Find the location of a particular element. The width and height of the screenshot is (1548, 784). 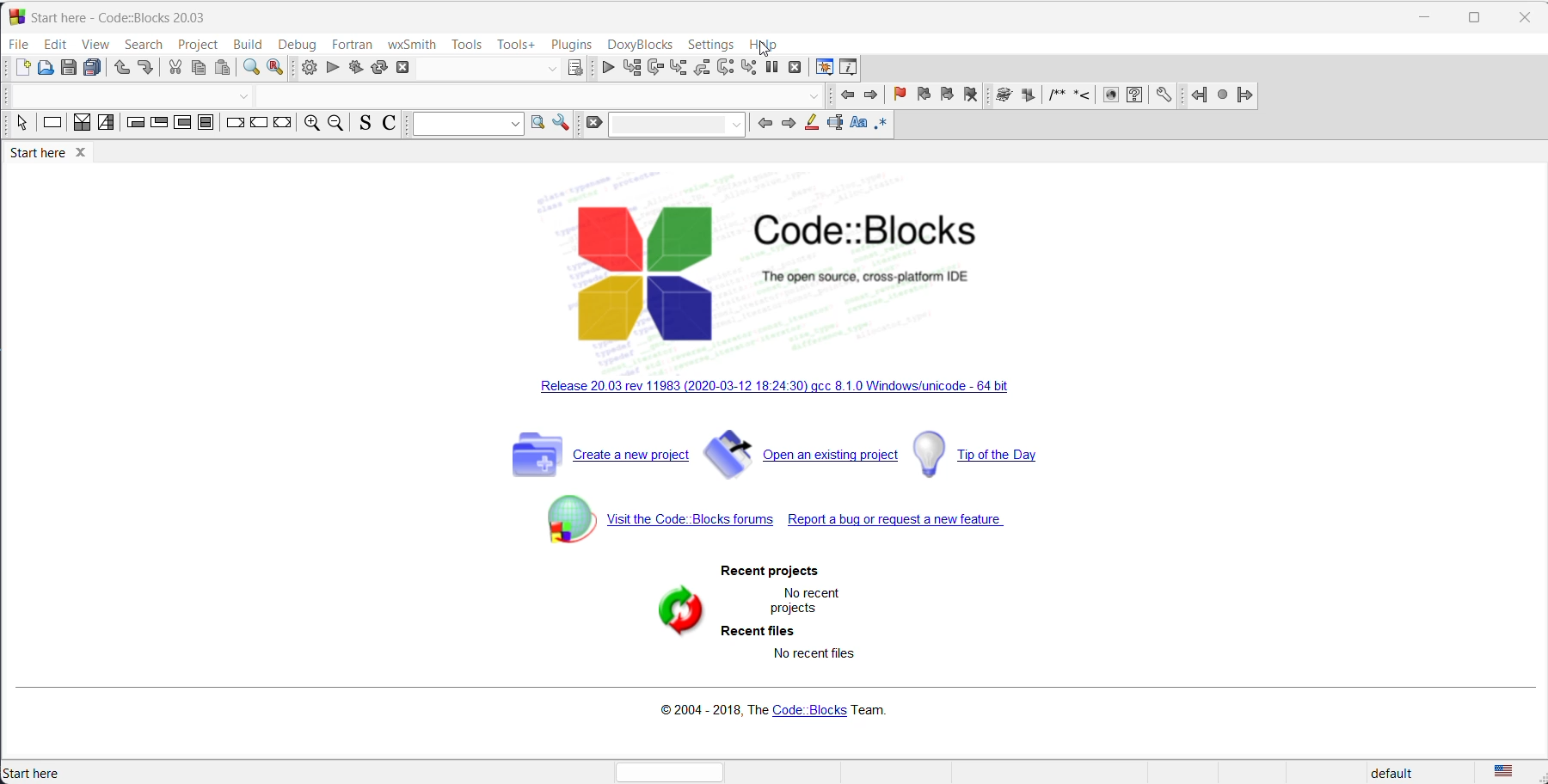

rebuild is located at coordinates (378, 70).